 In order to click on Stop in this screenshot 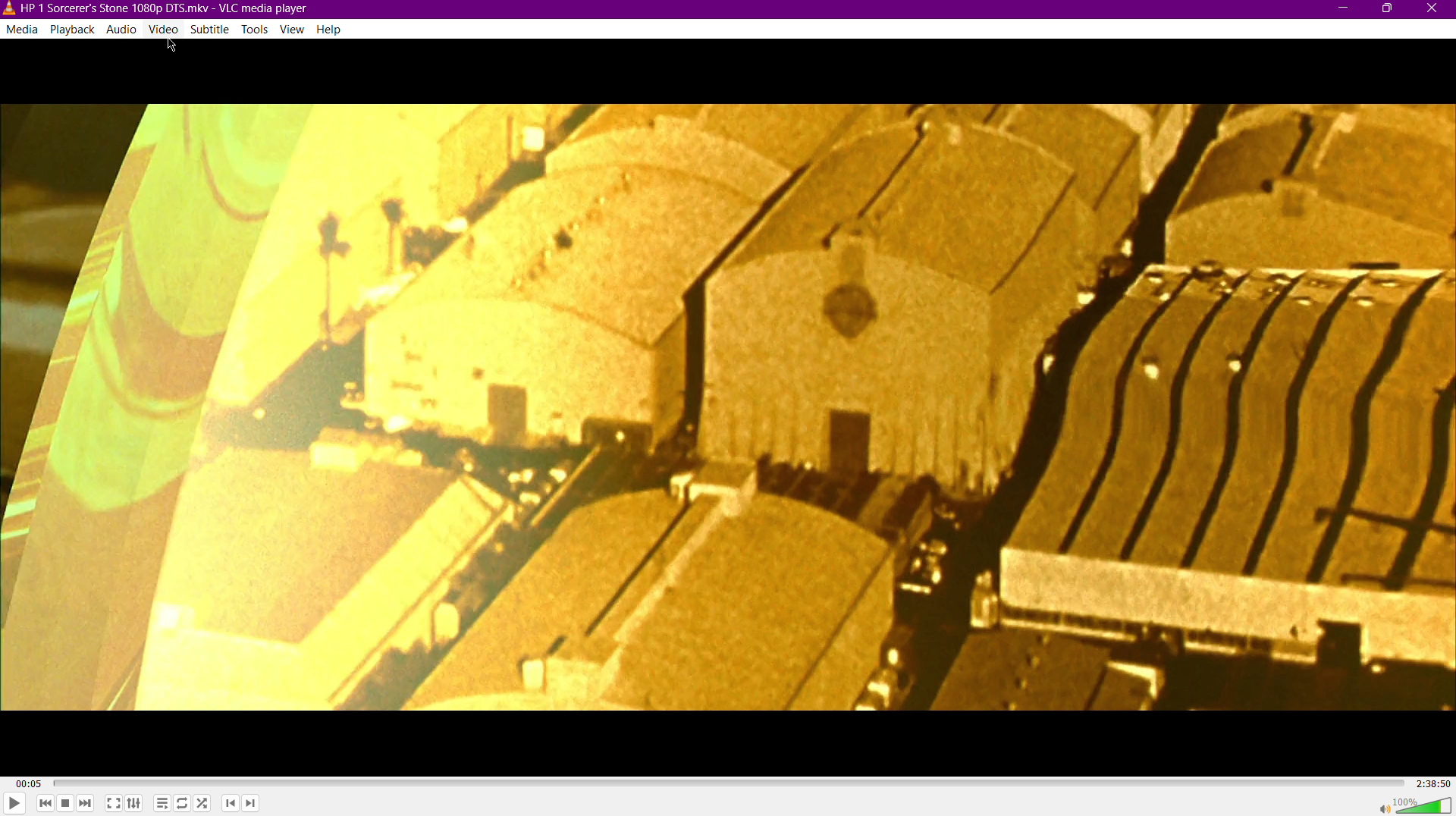, I will do `click(67, 804)`.